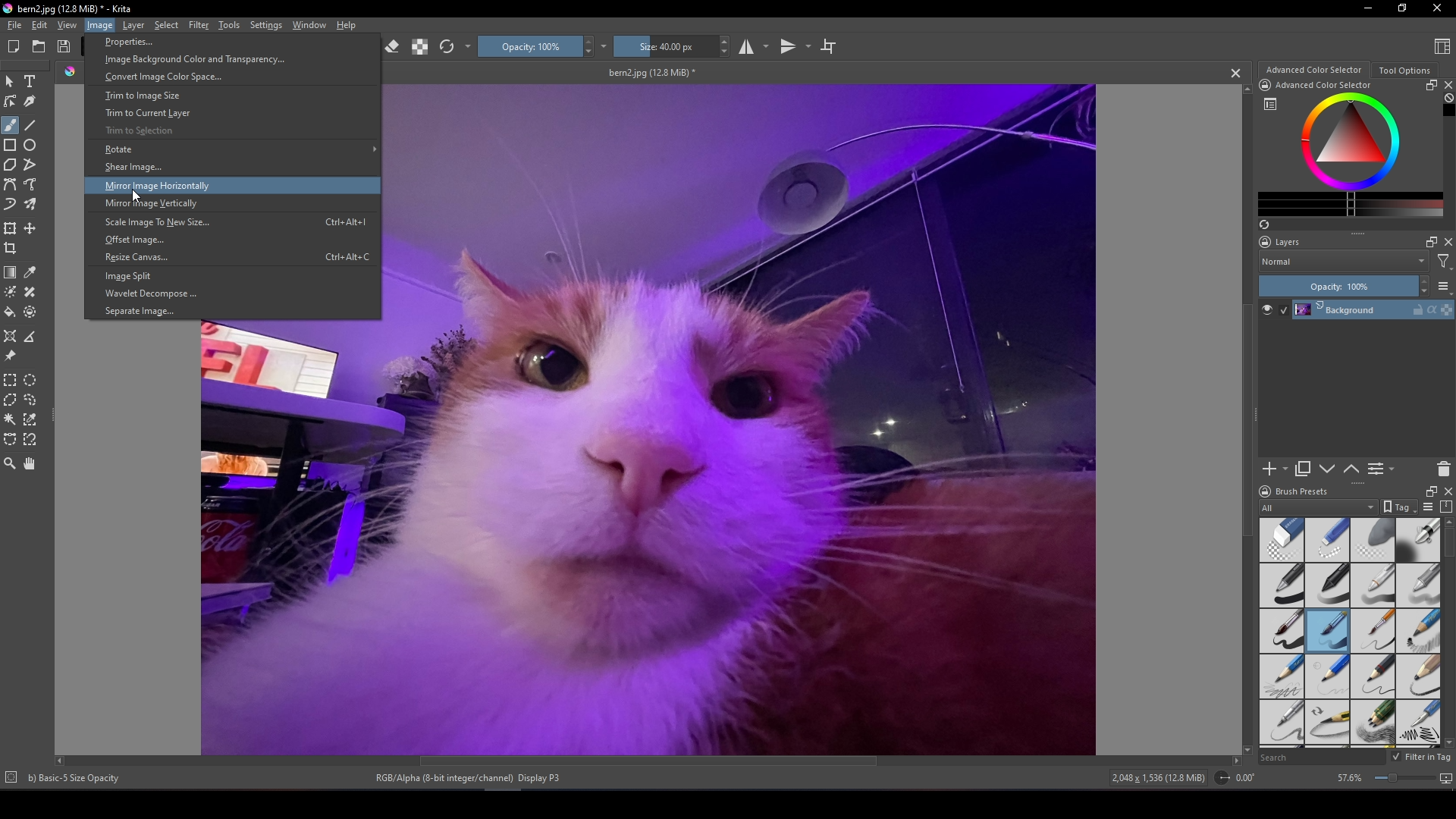 The height and width of the screenshot is (819, 1456). What do you see at coordinates (30, 439) in the screenshot?
I see `Magnetic curve selection tool` at bounding box center [30, 439].